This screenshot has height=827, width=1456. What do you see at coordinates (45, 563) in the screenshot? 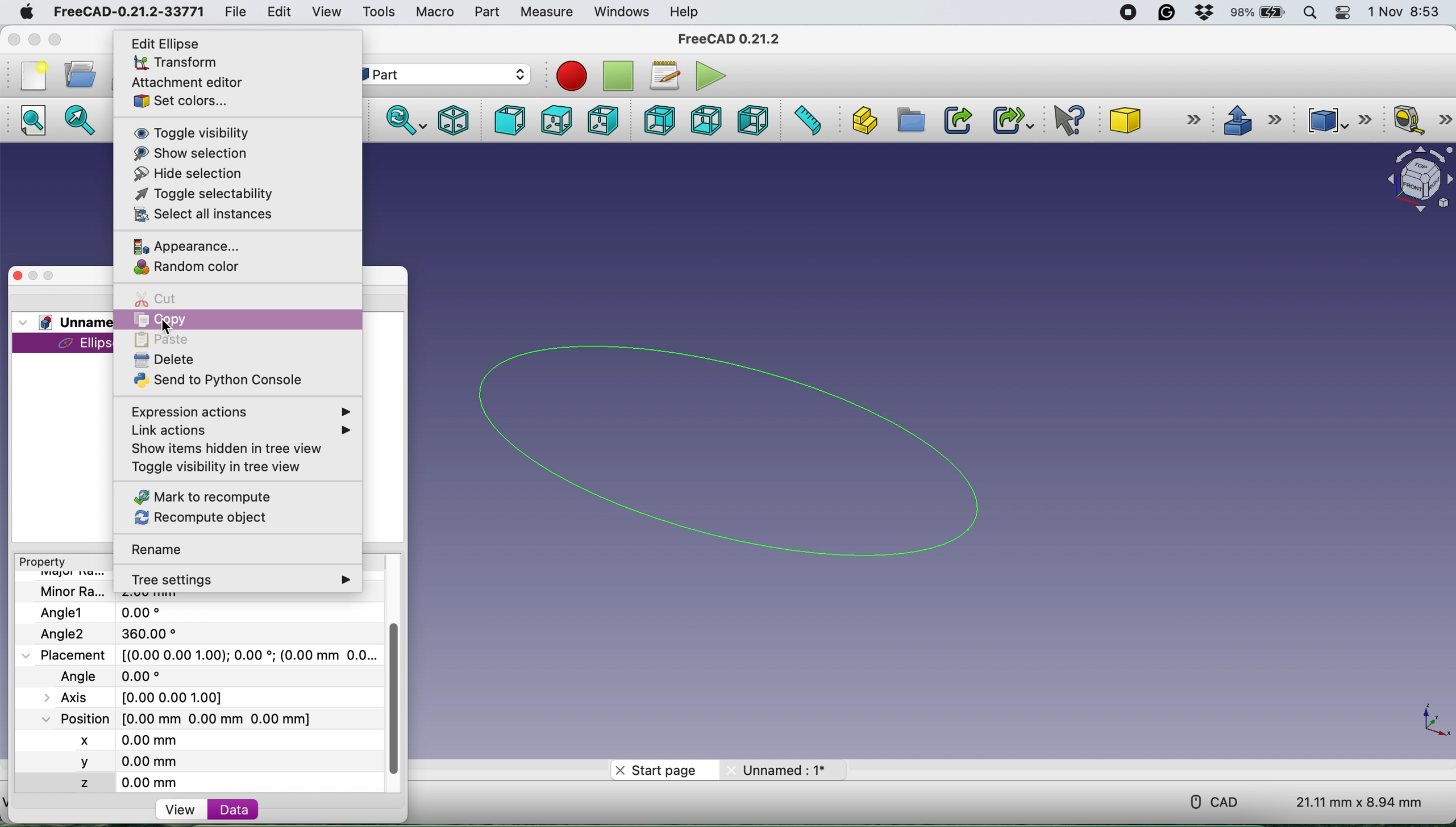
I see `property` at bounding box center [45, 563].